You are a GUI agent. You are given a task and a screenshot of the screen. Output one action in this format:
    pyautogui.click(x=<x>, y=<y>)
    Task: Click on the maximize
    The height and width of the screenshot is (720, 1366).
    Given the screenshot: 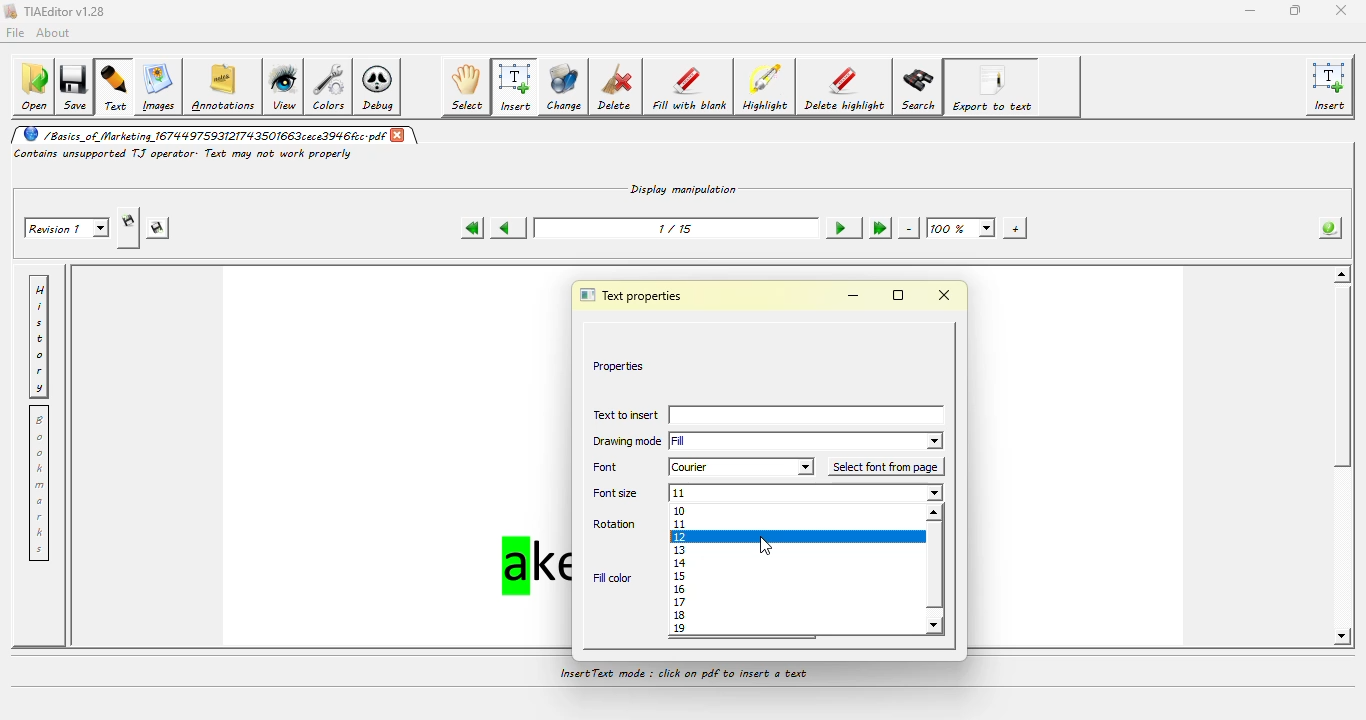 What is the action you would take?
    pyautogui.click(x=899, y=295)
    